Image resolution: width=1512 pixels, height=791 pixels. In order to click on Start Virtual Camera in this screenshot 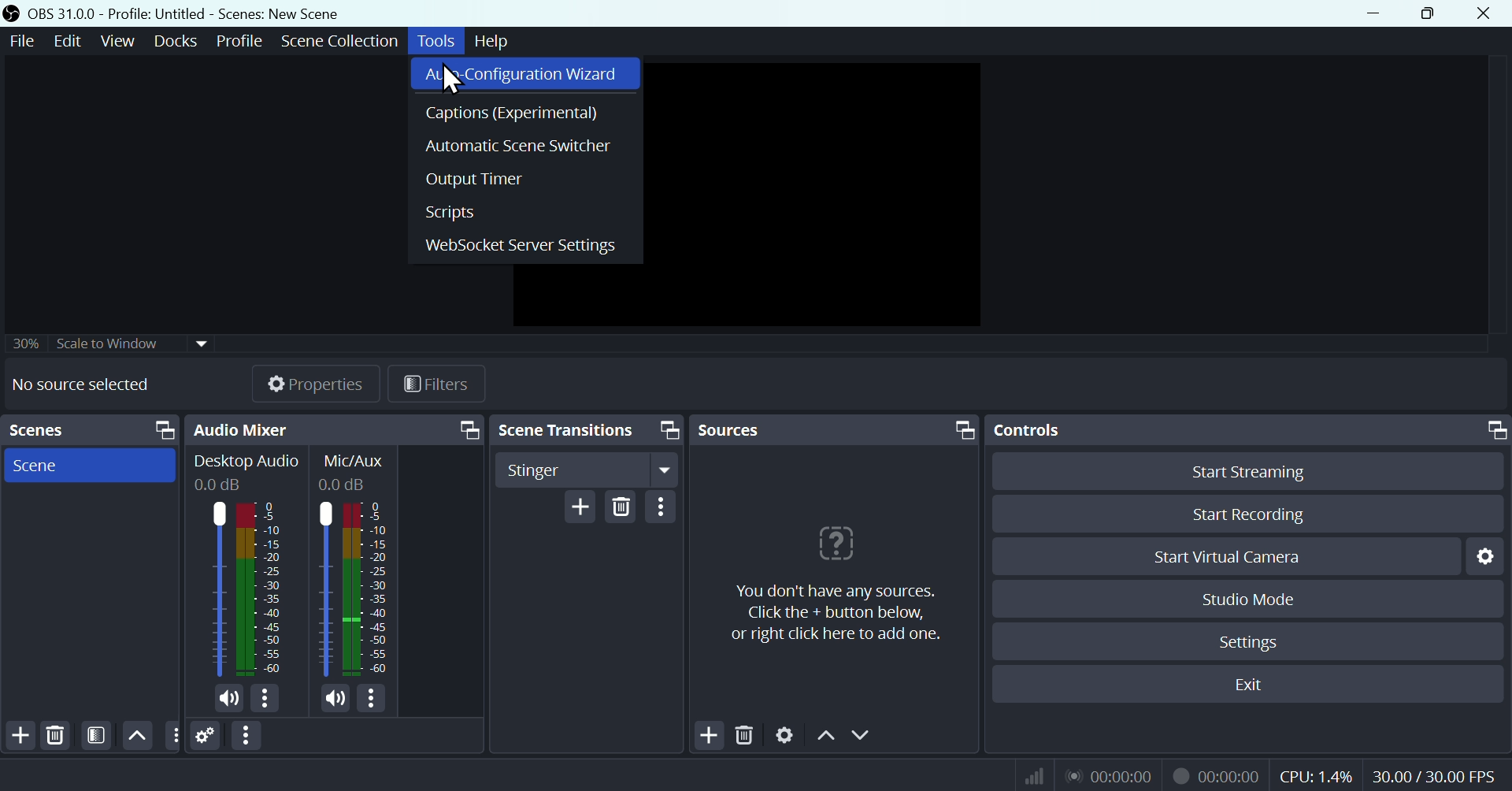, I will do `click(1225, 555)`.